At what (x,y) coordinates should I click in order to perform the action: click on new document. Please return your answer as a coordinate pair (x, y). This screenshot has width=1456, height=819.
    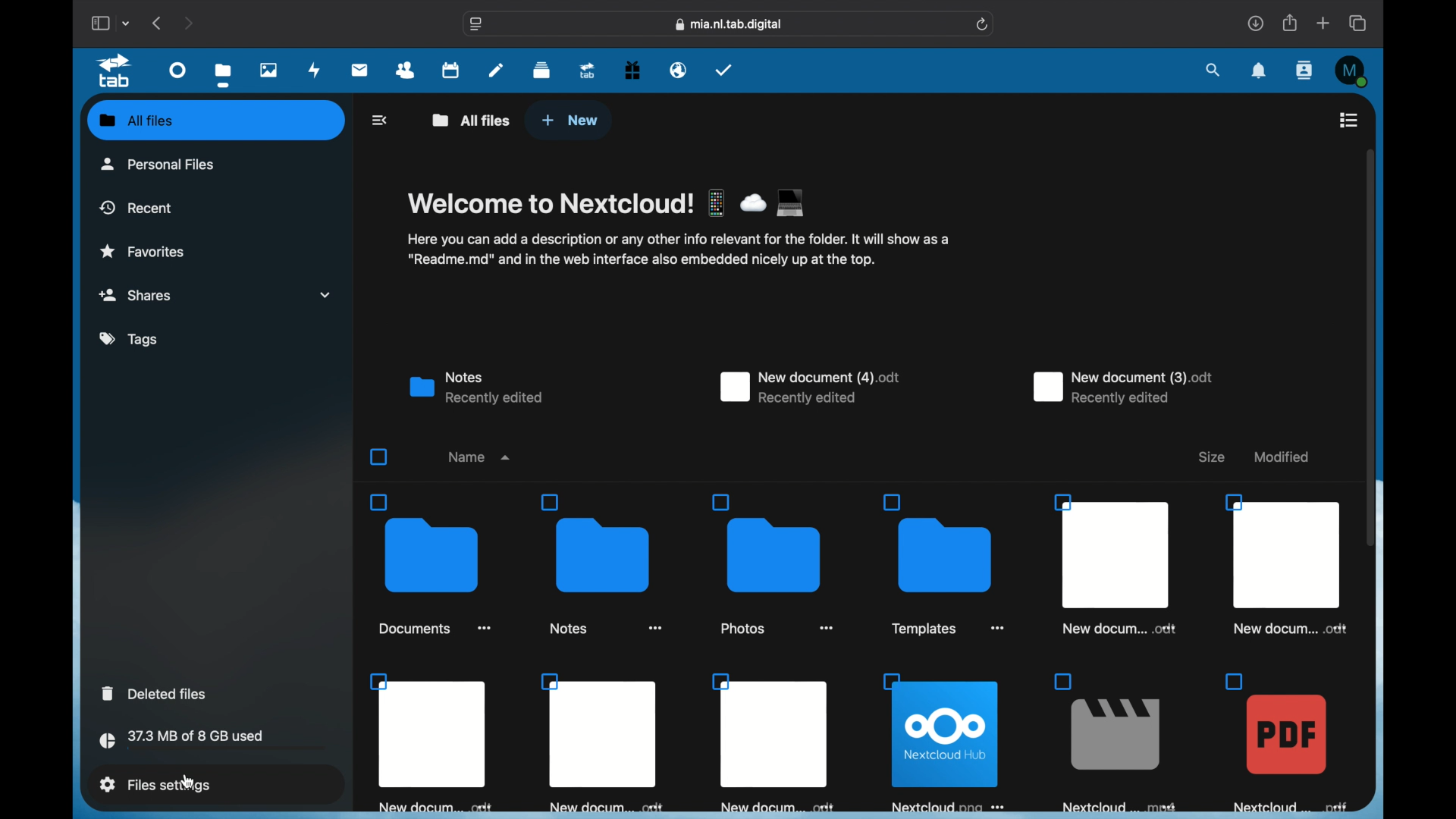
    Looking at the image, I should click on (808, 388).